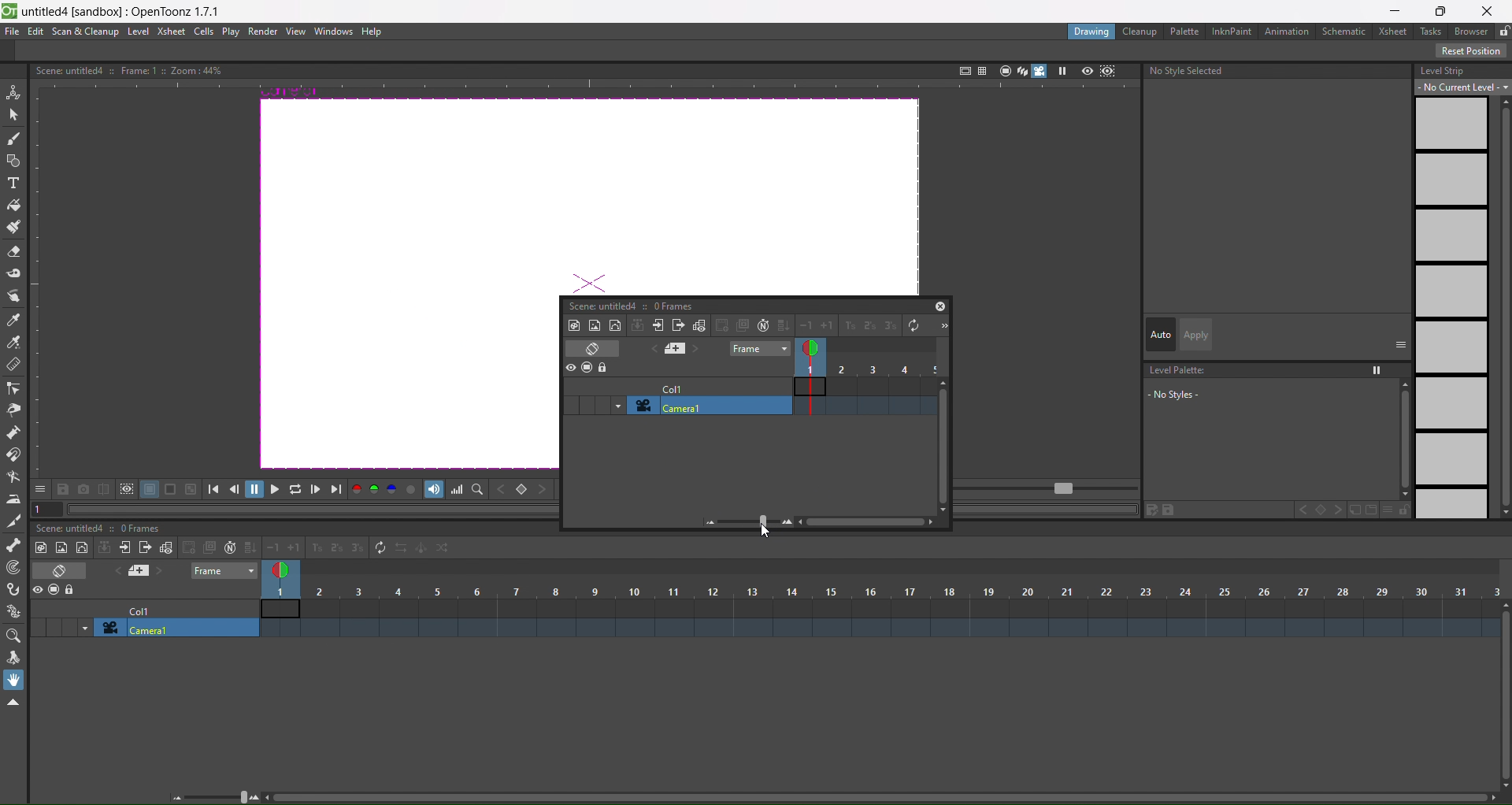 The width and height of the screenshot is (1512, 805). Describe the element at coordinates (286, 568) in the screenshot. I see `double click to toggle onion skin` at that location.